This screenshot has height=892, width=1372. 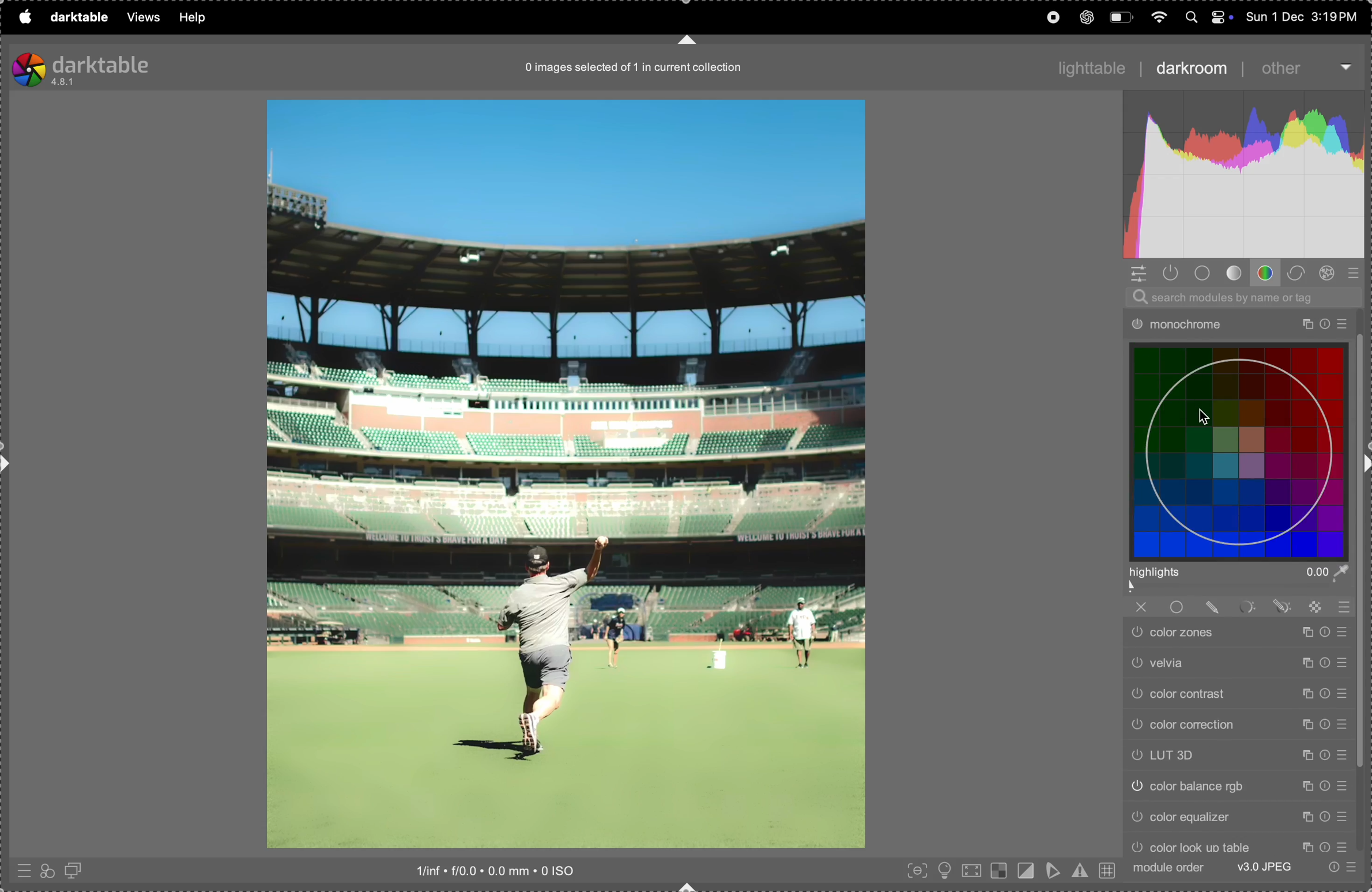 I want to click on Cursor on Color box , so click(x=1204, y=415).